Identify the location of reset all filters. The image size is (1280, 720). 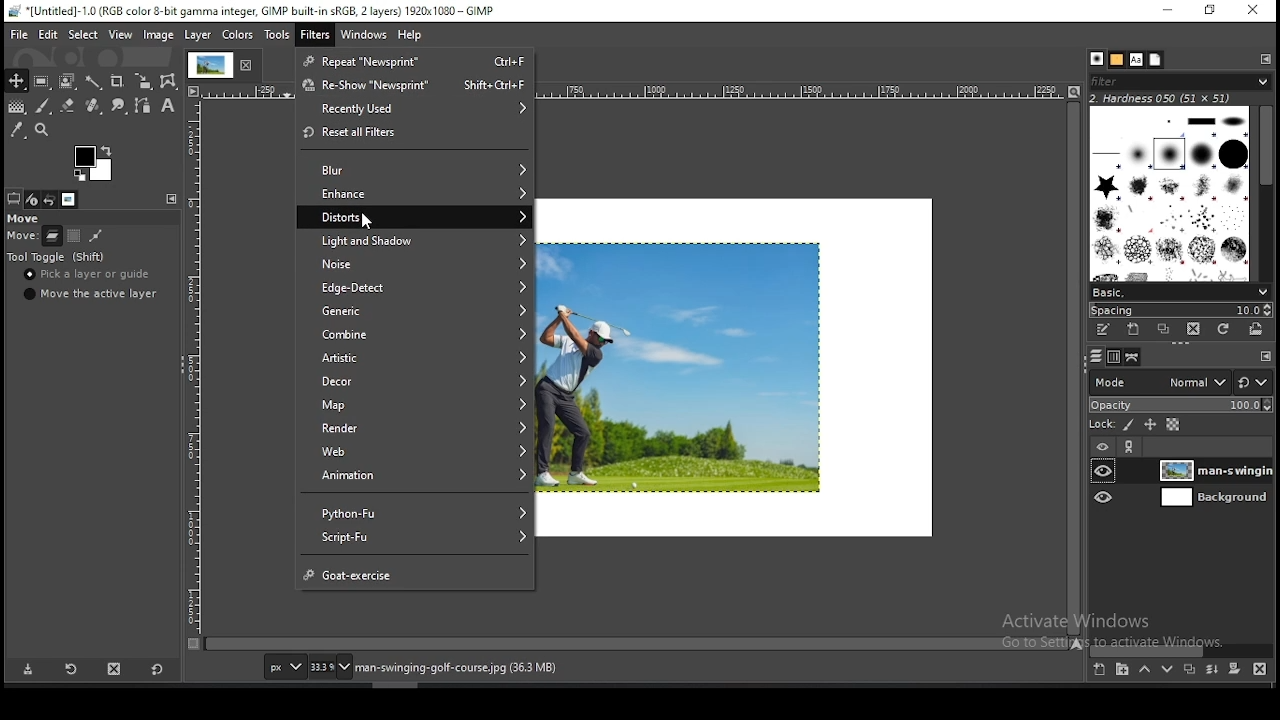
(415, 133).